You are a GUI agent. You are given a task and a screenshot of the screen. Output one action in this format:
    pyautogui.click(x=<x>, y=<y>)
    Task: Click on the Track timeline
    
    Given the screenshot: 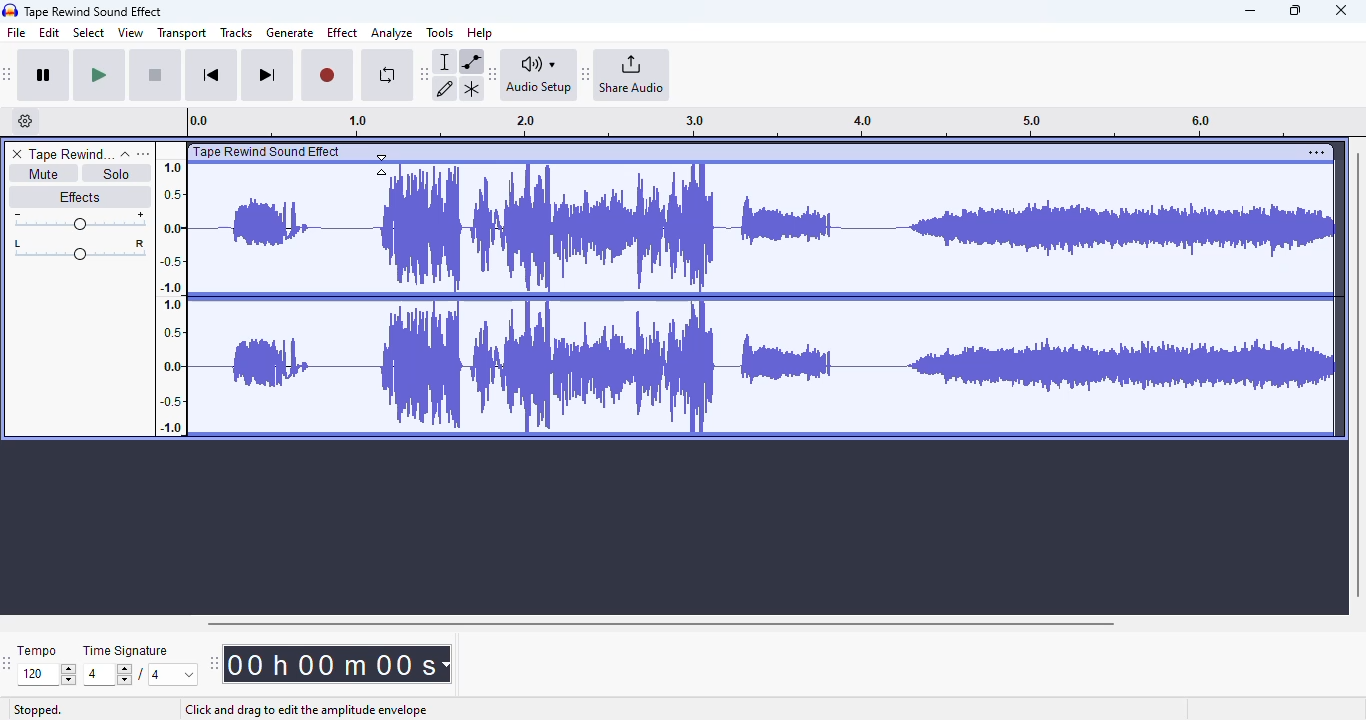 What is the action you would take?
    pyautogui.click(x=744, y=122)
    